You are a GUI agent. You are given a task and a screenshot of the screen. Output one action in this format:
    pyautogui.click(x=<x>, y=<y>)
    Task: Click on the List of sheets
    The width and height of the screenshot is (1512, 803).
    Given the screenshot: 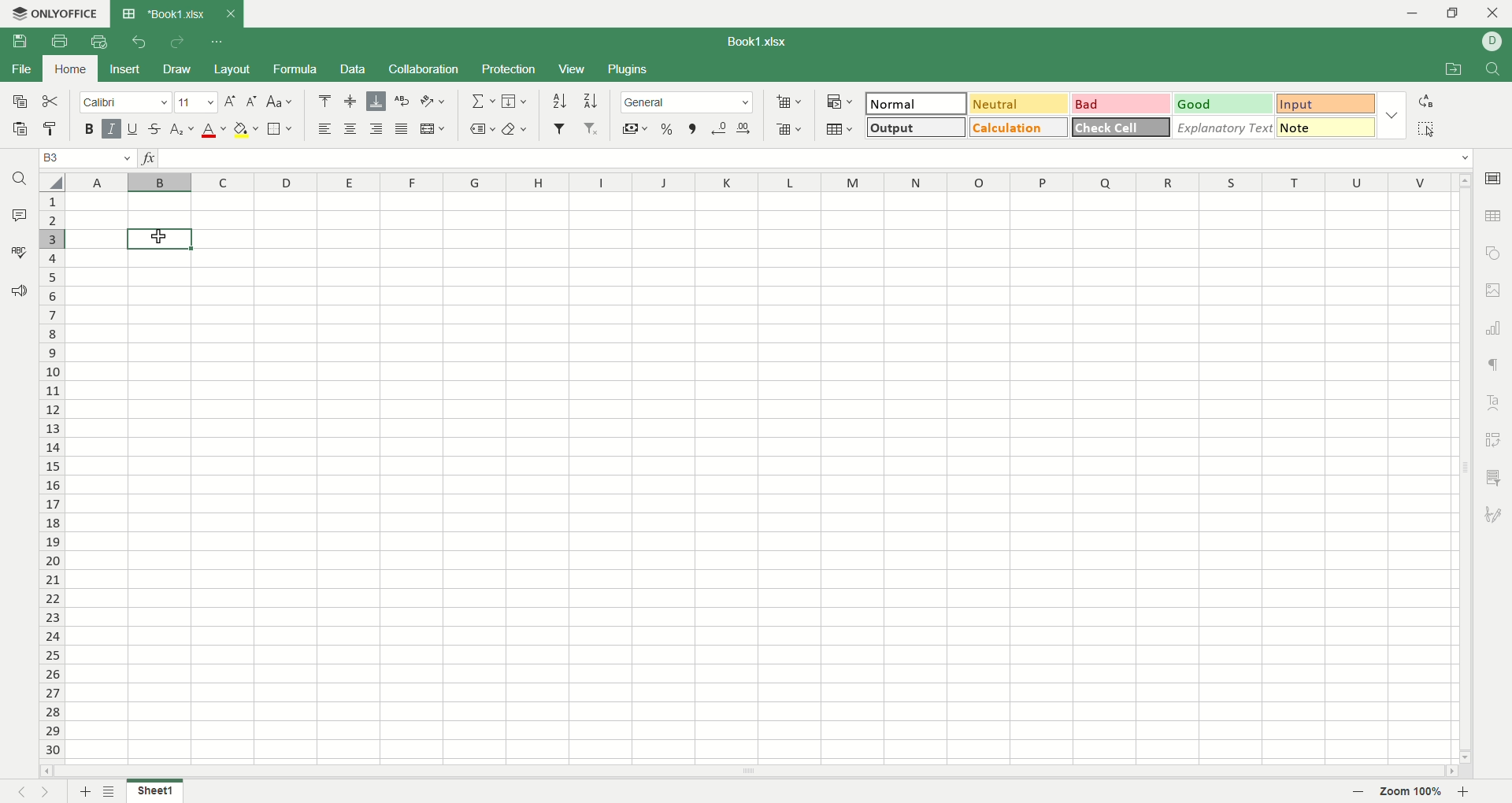 What is the action you would take?
    pyautogui.click(x=110, y=791)
    